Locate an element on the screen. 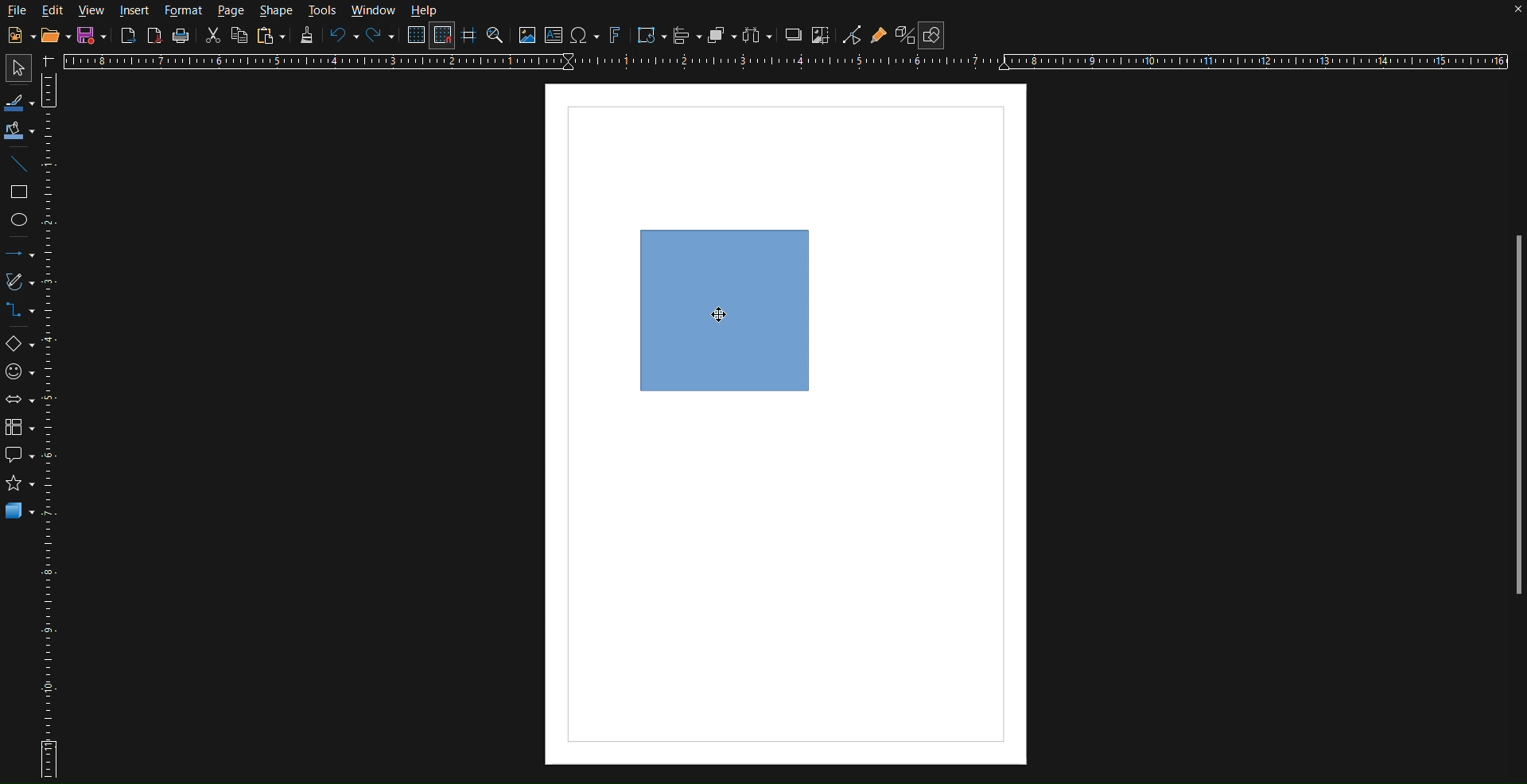 This screenshot has height=784, width=1527. Toggle Point Edit Mode is located at coordinates (852, 35).